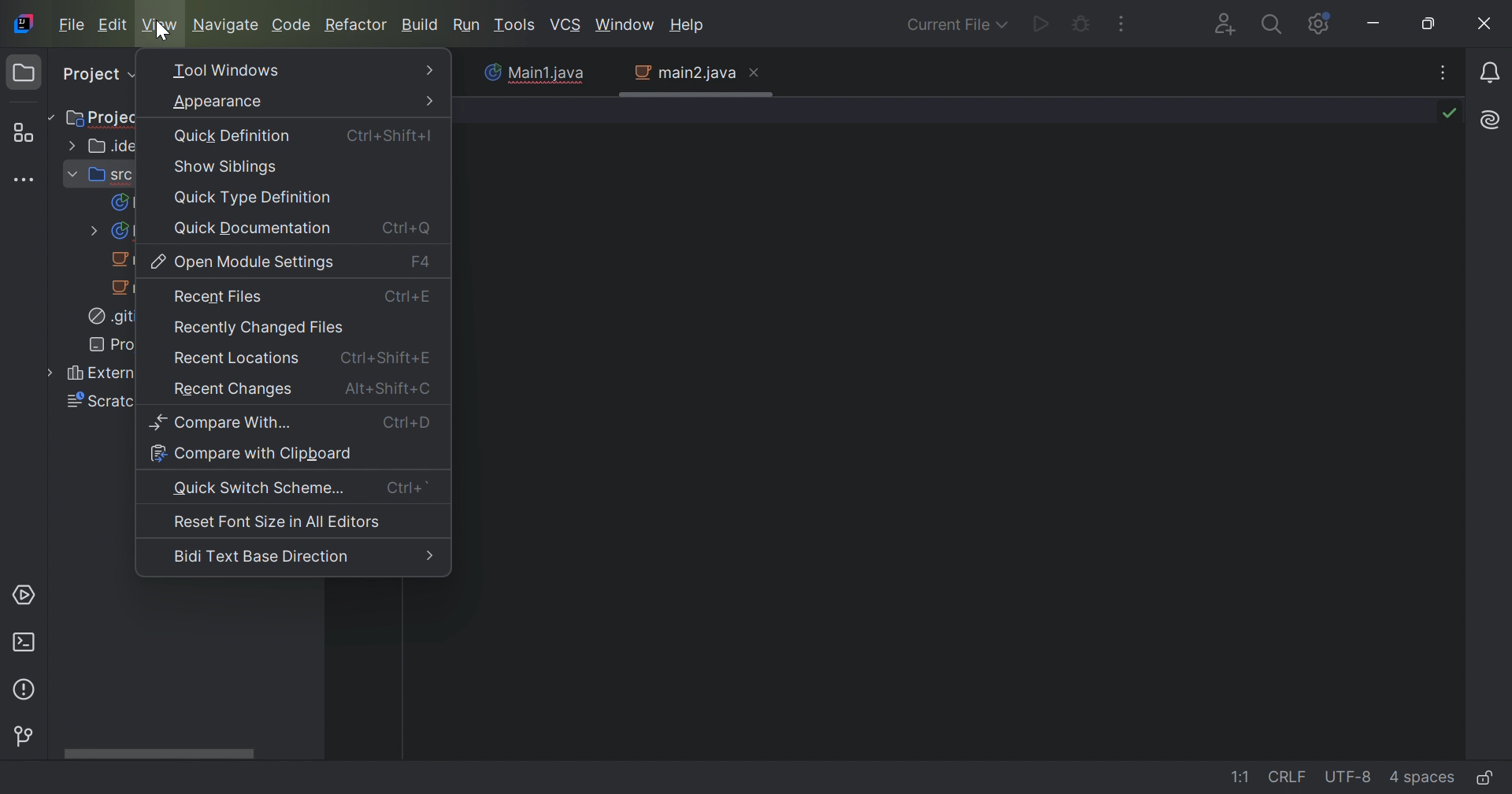  What do you see at coordinates (27, 594) in the screenshot?
I see `Services` at bounding box center [27, 594].